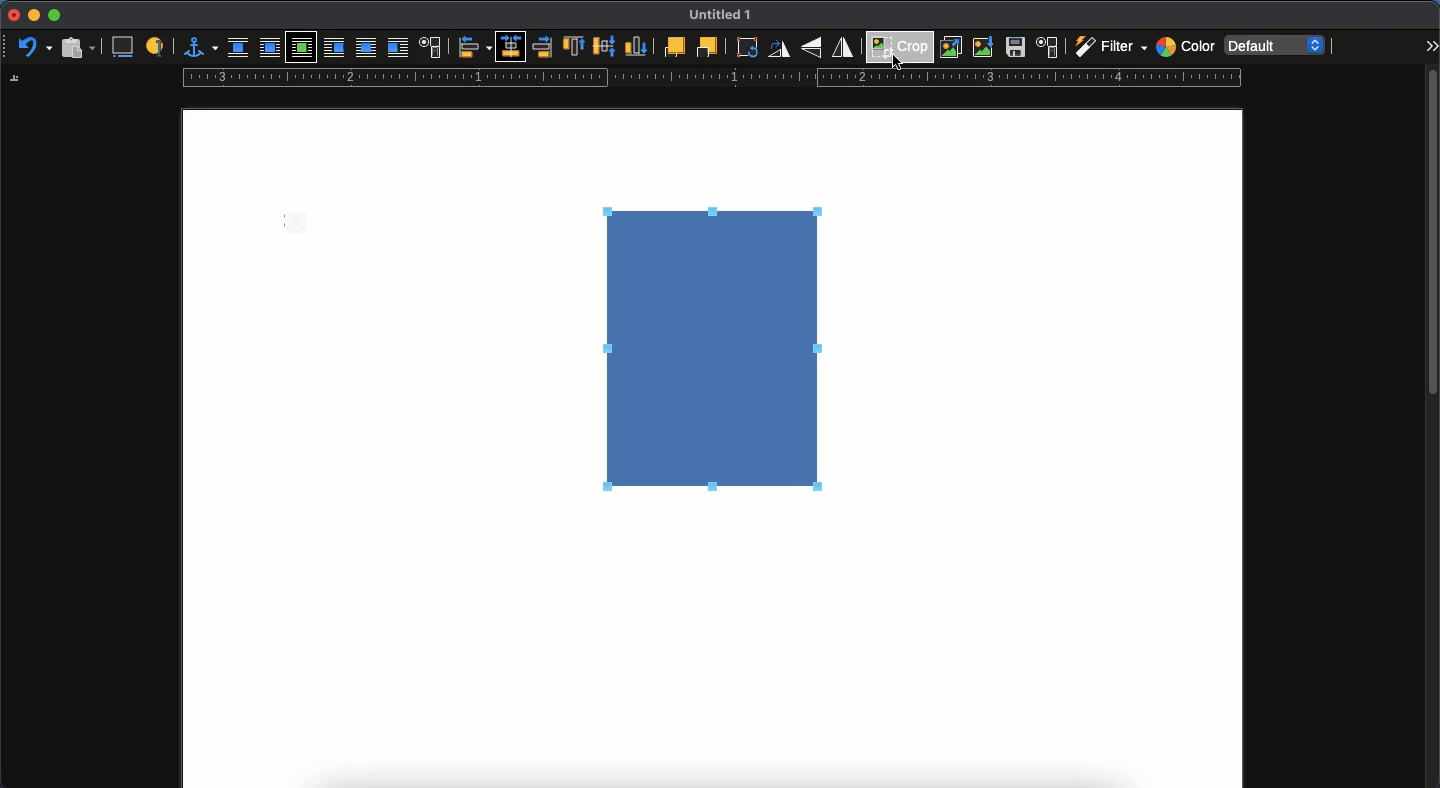 The image size is (1440, 788). What do you see at coordinates (512, 47) in the screenshot?
I see `centered` at bounding box center [512, 47].